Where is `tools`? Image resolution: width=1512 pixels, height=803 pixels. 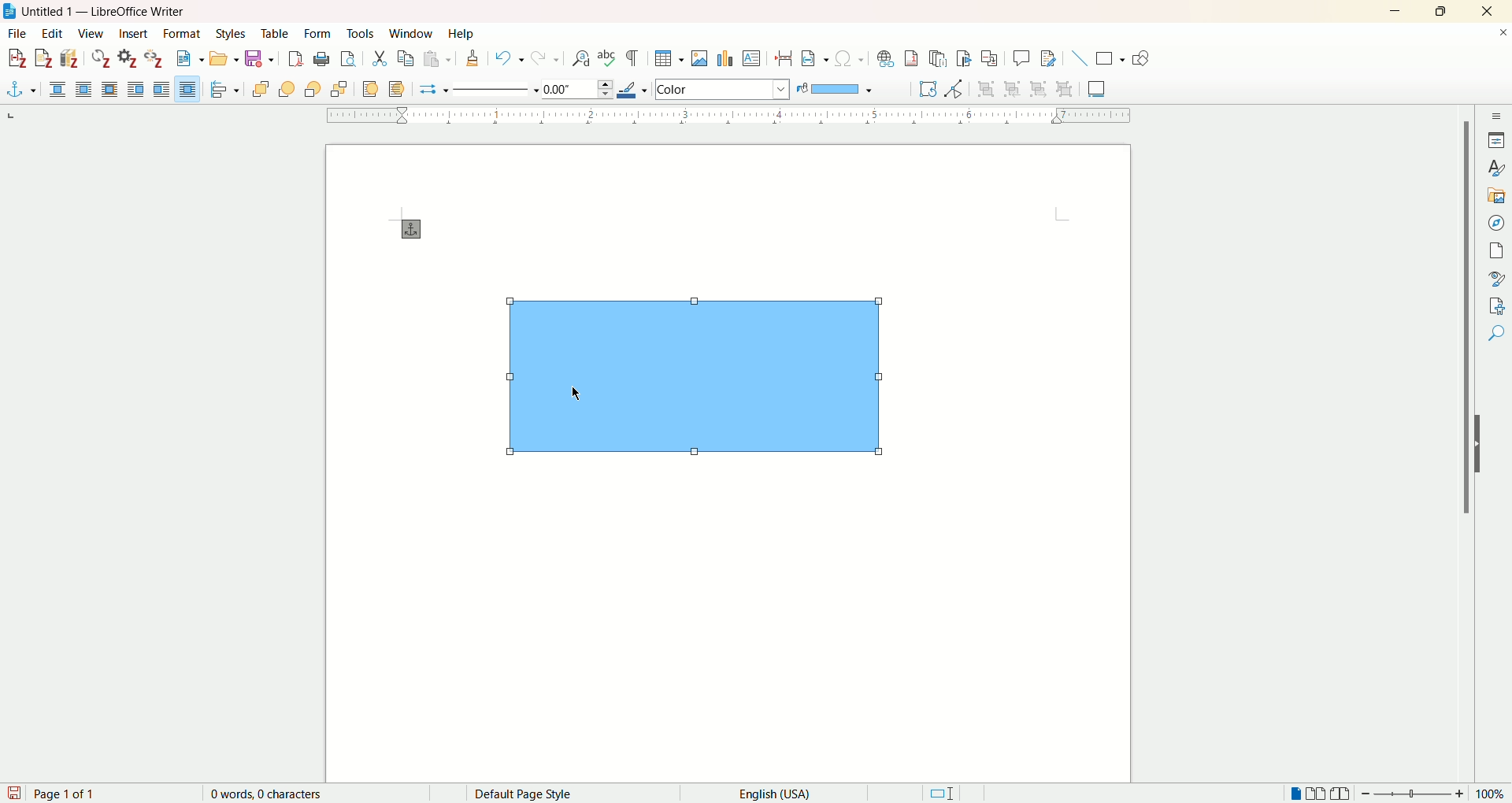
tools is located at coordinates (360, 33).